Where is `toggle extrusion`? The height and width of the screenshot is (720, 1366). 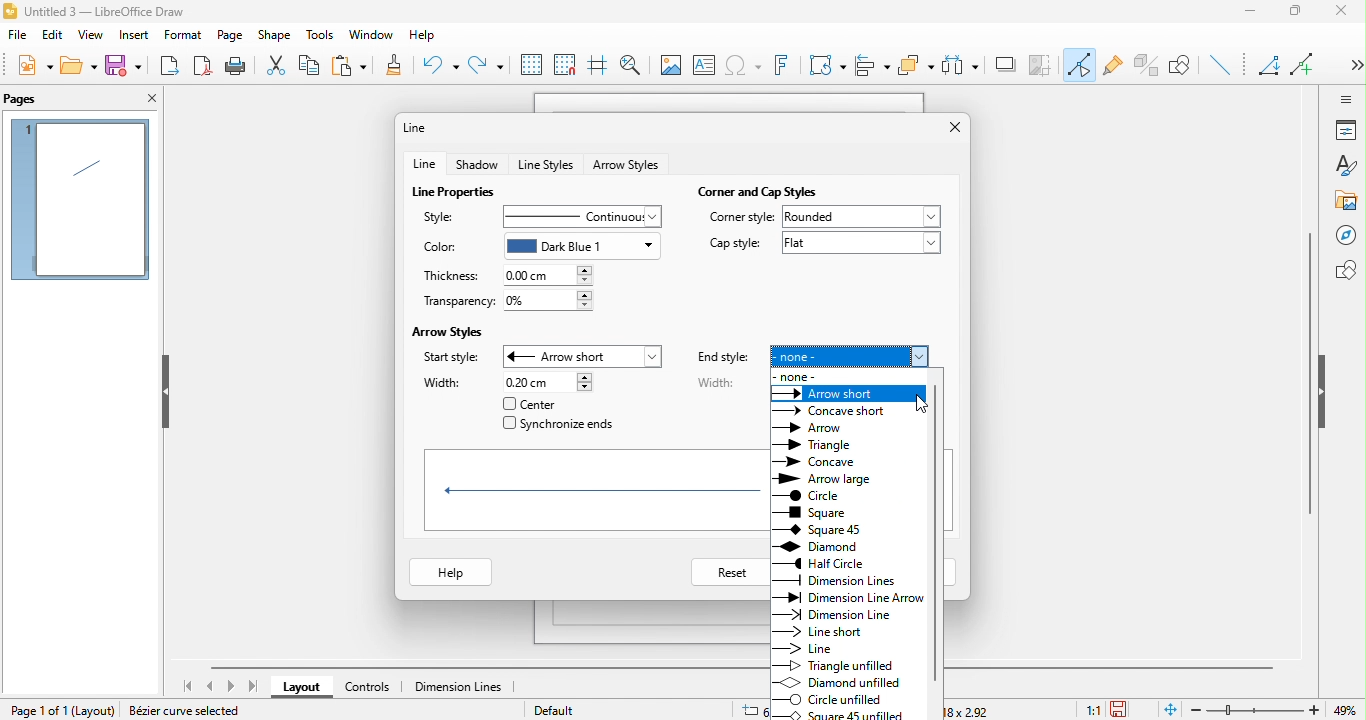
toggle extrusion is located at coordinates (1147, 64).